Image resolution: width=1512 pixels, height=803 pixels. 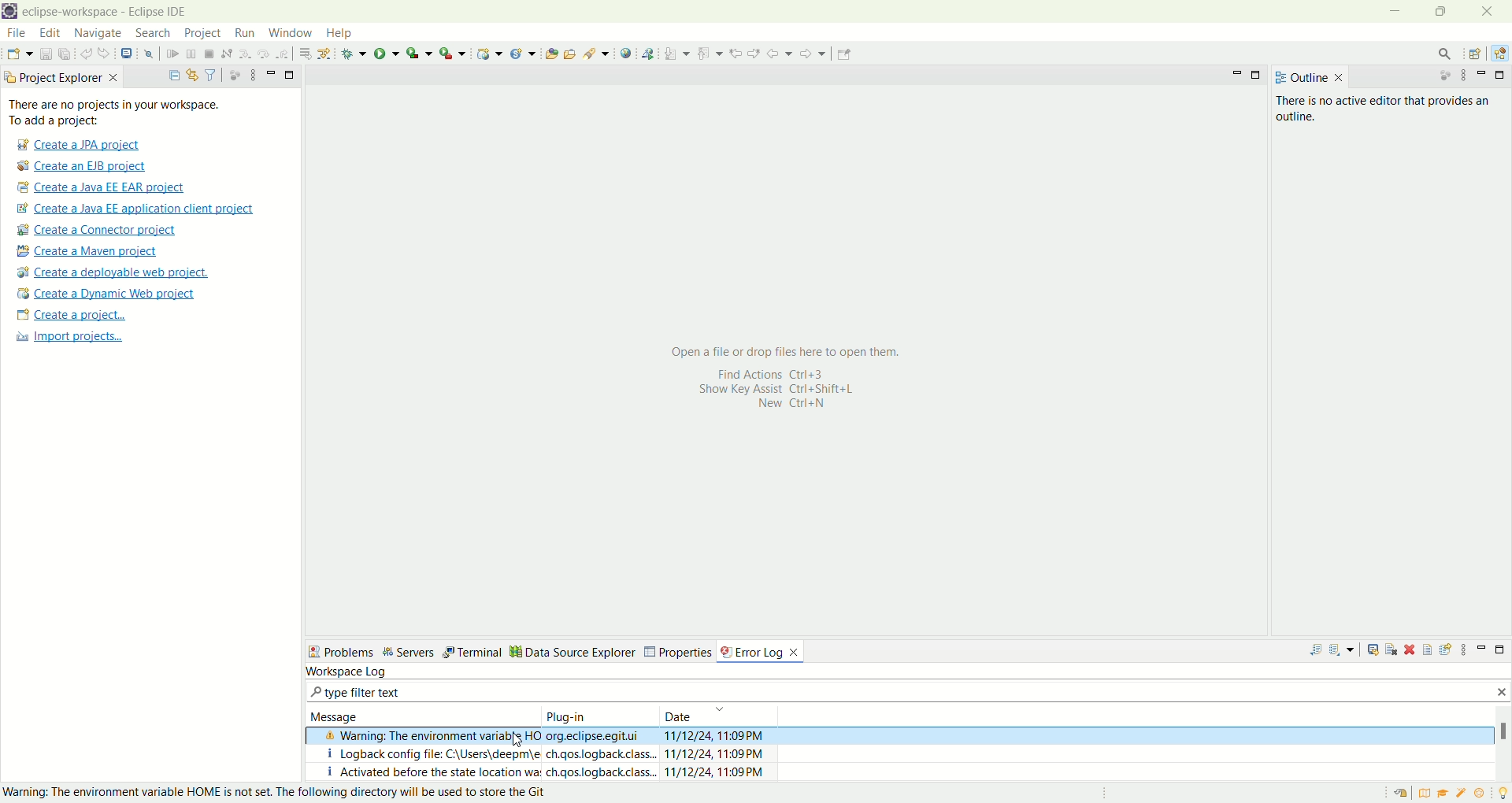 I want to click on minimize, so click(x=1483, y=76).